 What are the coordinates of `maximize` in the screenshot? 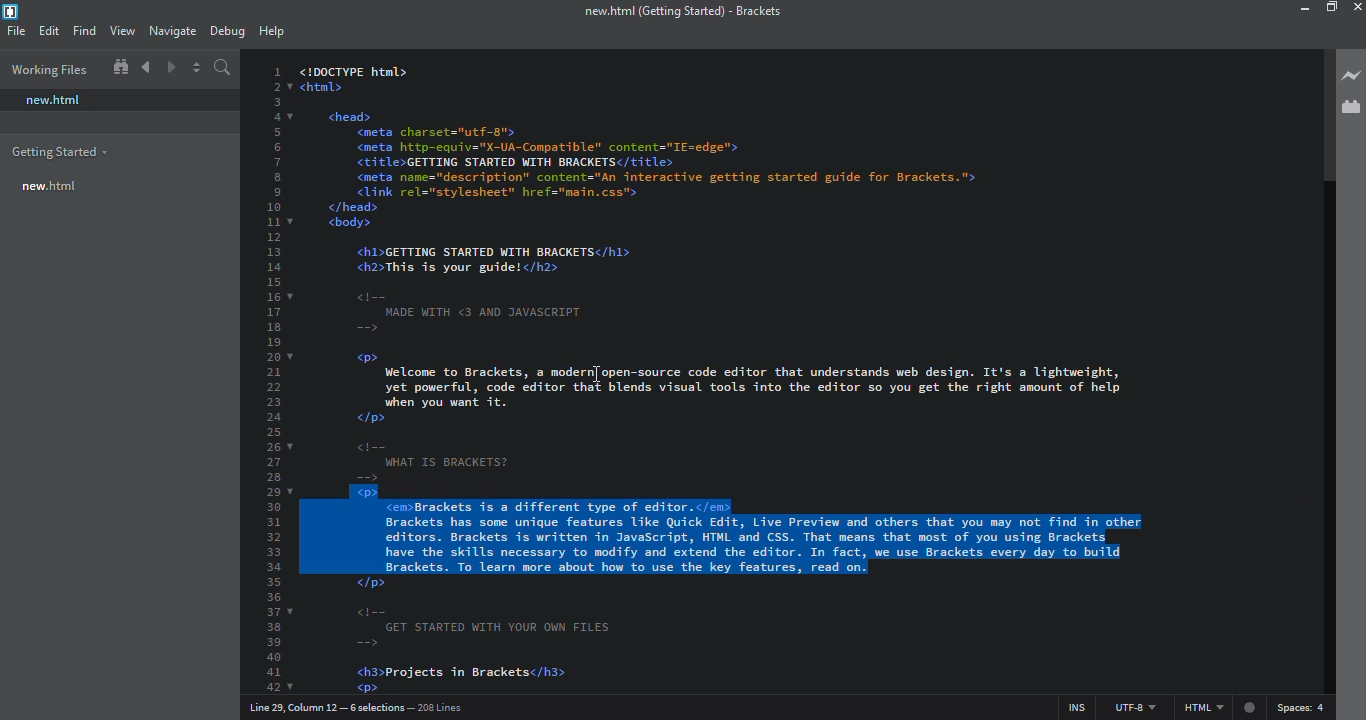 It's located at (1332, 7).